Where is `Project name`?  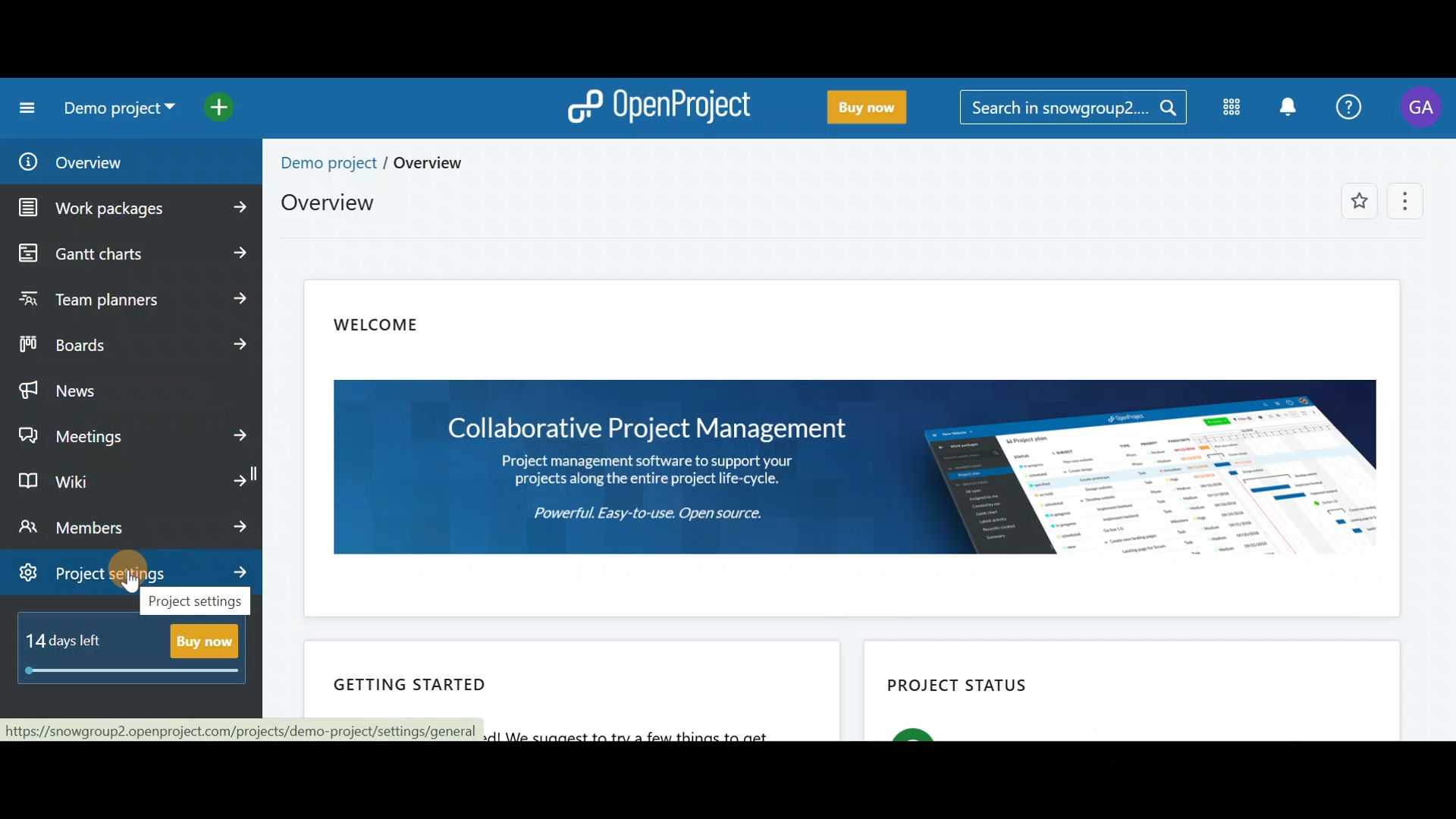
Project name is located at coordinates (115, 108).